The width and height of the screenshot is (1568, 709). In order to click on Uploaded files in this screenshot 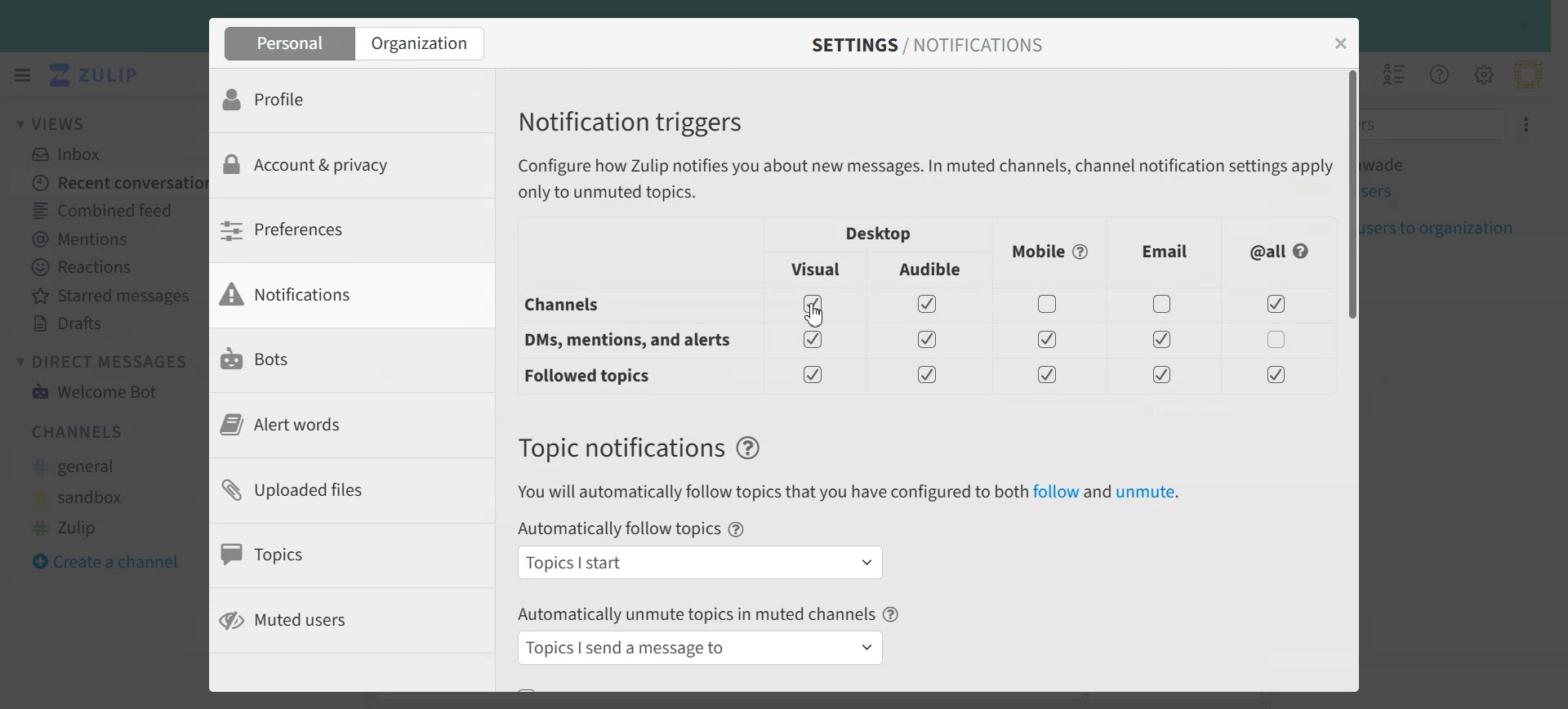, I will do `click(332, 488)`.